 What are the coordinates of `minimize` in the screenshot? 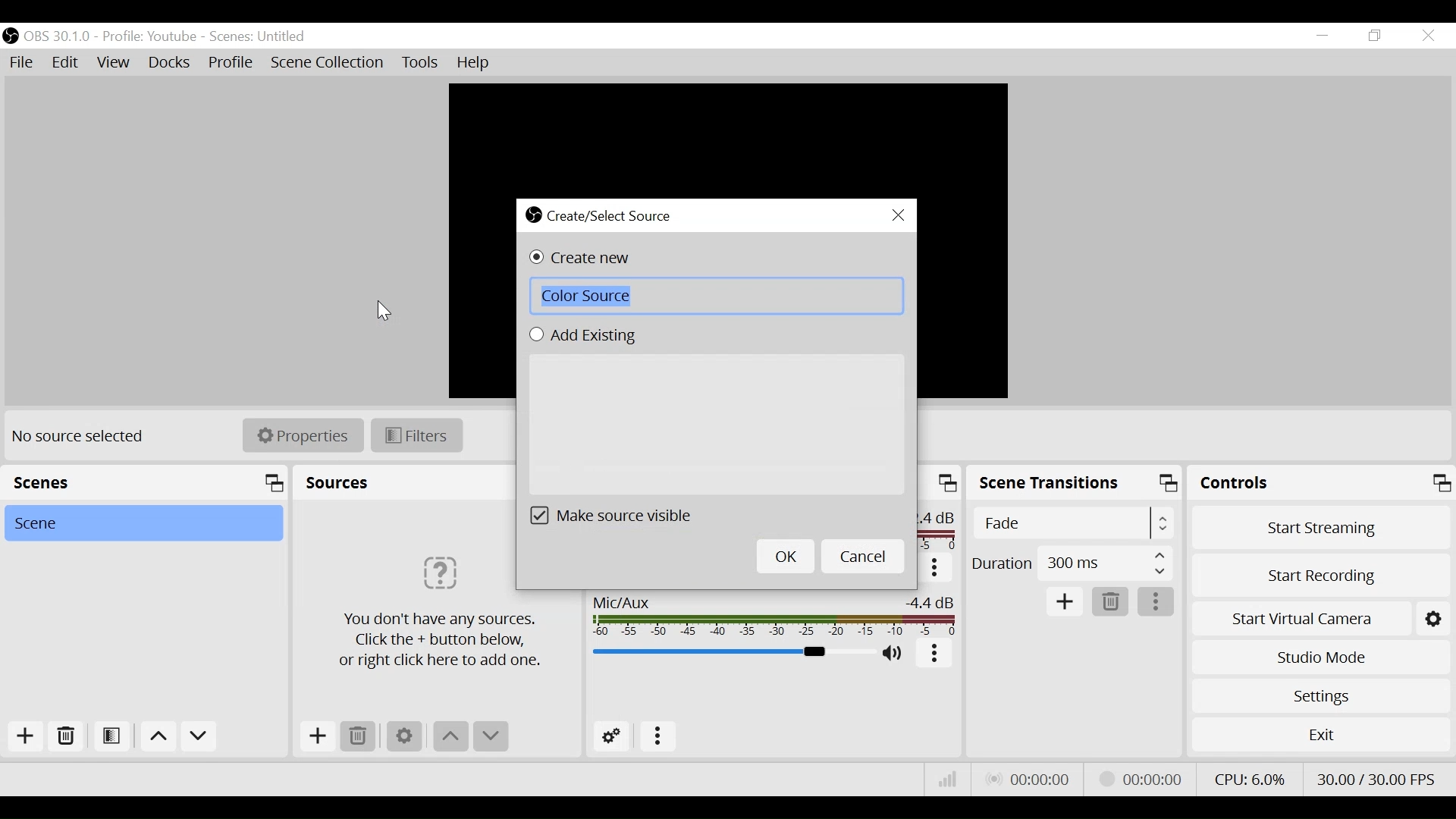 It's located at (1323, 35).